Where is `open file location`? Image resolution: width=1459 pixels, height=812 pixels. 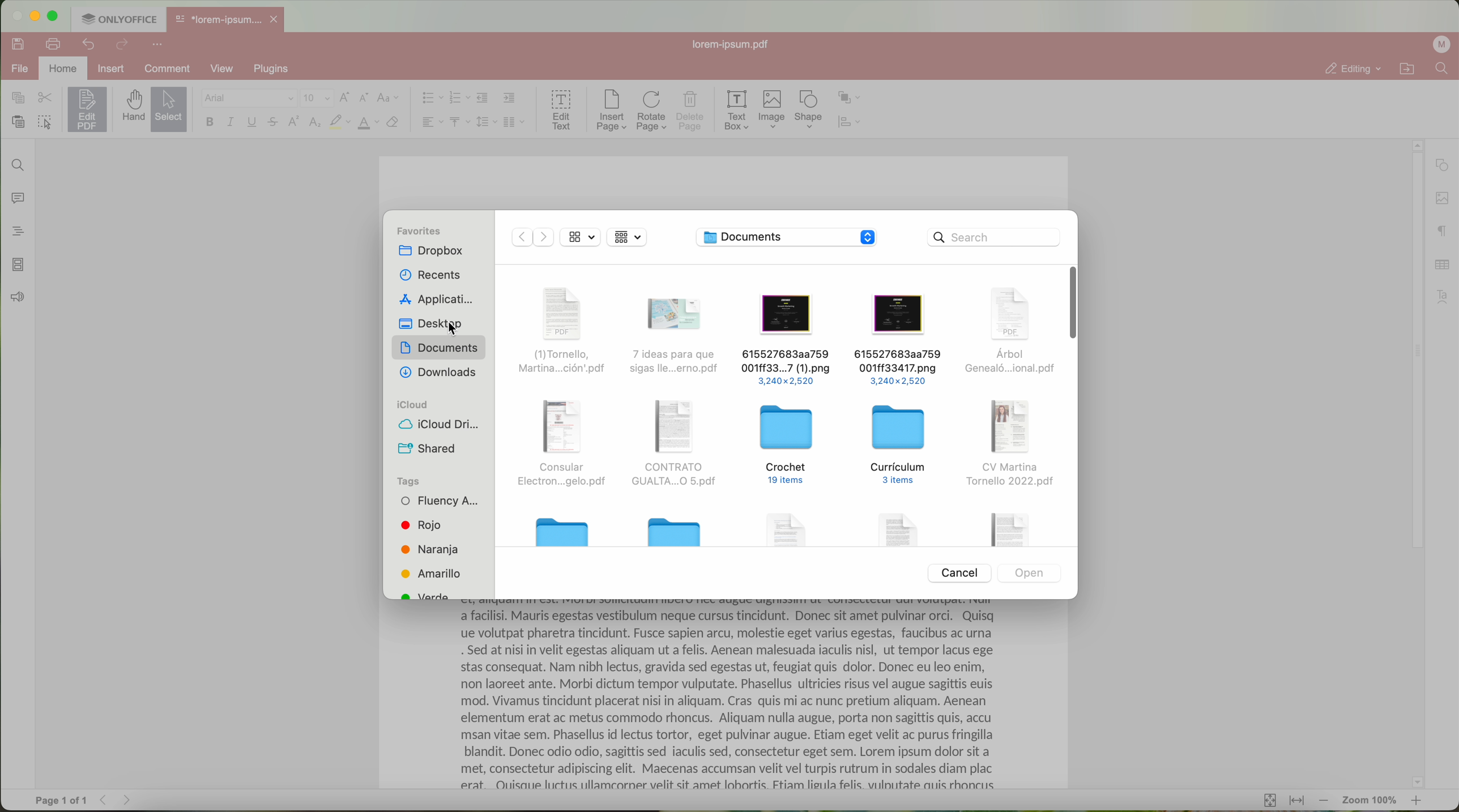 open file location is located at coordinates (1410, 69).